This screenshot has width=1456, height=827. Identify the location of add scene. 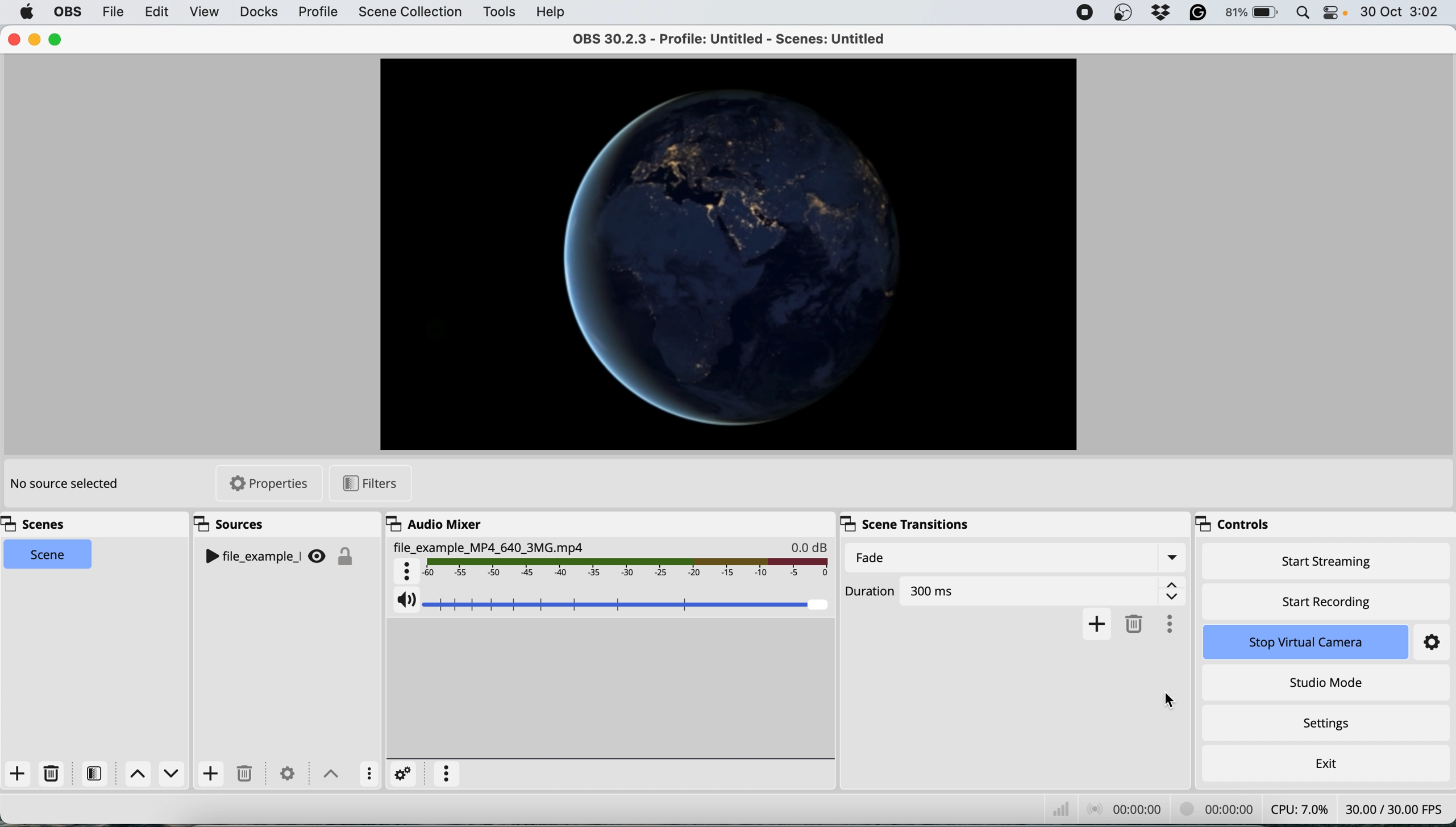
(16, 772).